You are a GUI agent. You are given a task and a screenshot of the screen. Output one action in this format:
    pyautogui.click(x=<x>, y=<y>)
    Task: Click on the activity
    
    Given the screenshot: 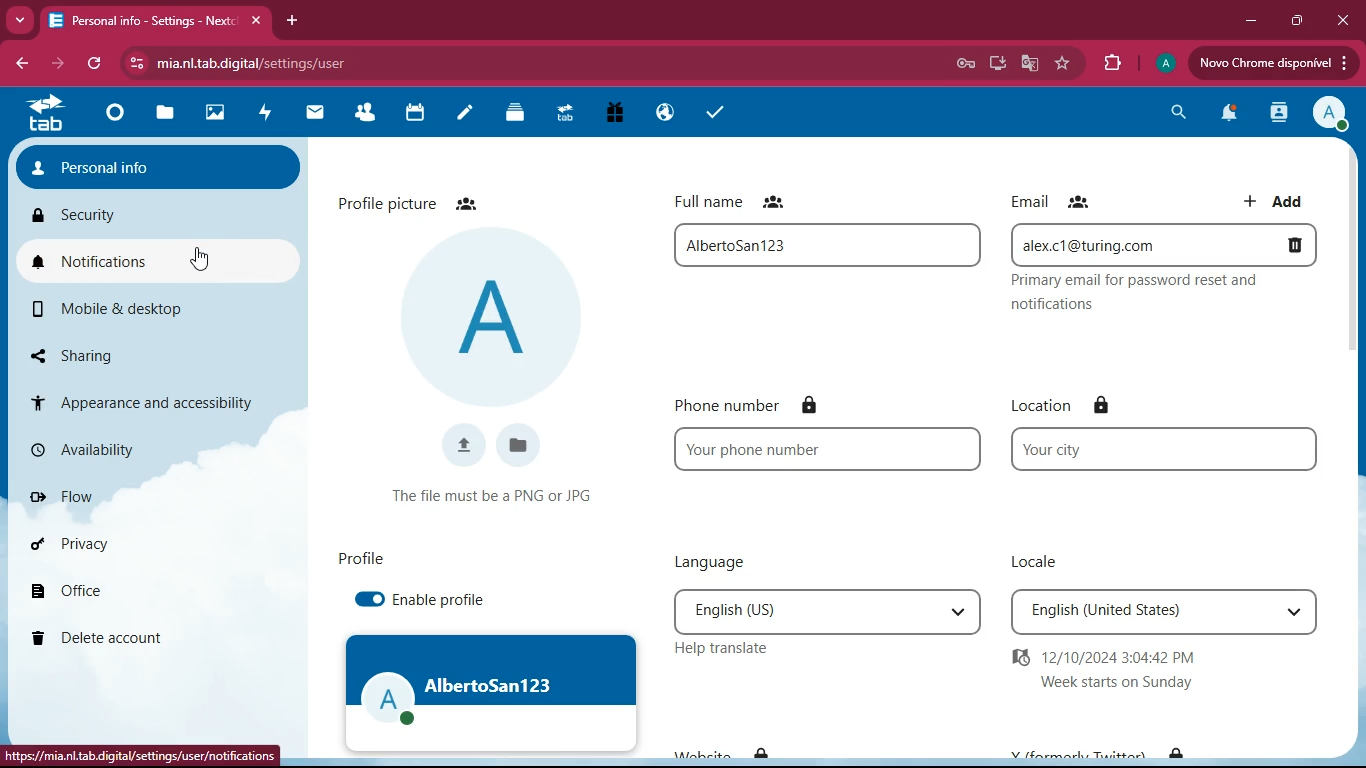 What is the action you would take?
    pyautogui.click(x=265, y=115)
    